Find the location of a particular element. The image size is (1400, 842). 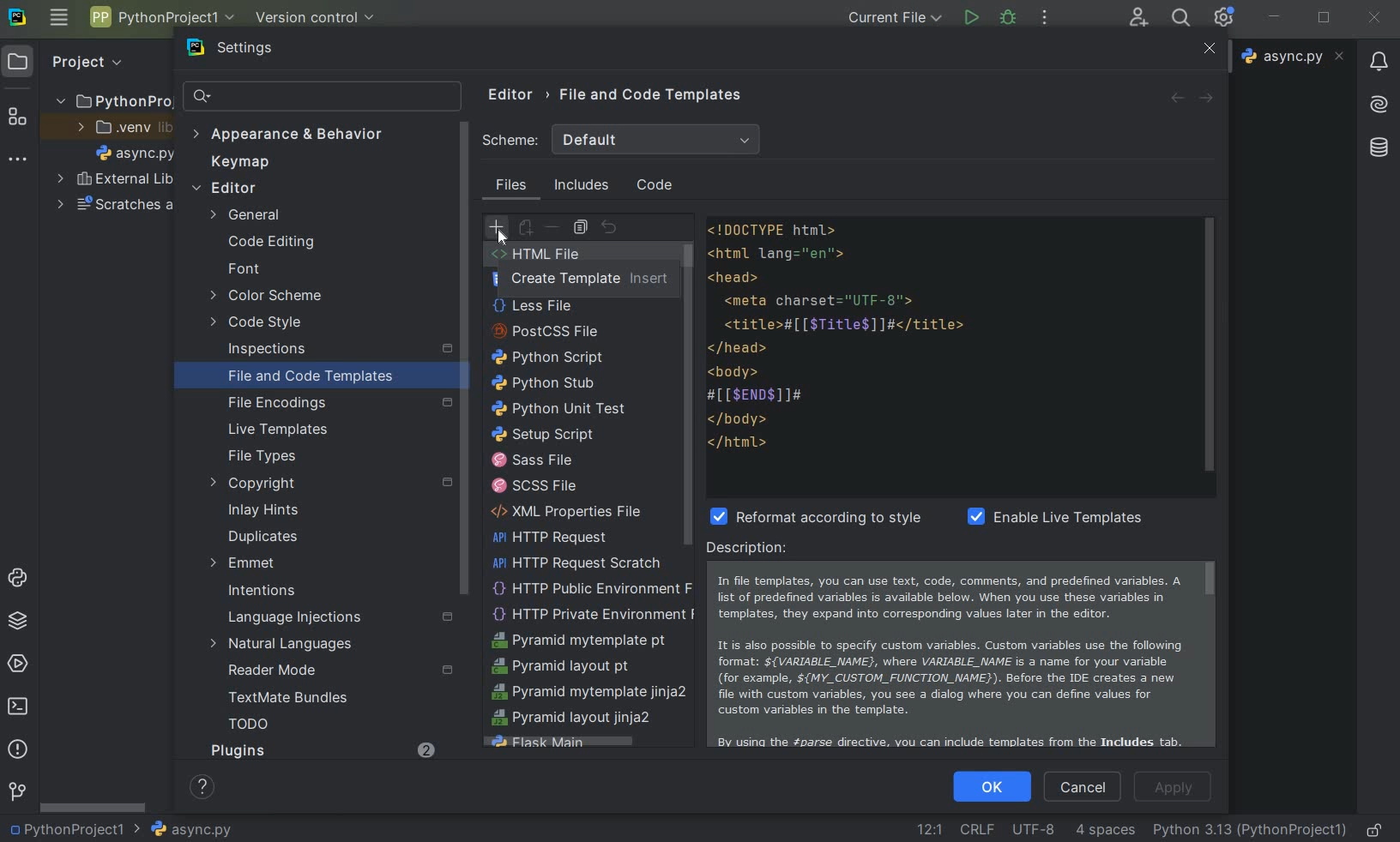

scheme is located at coordinates (619, 140).